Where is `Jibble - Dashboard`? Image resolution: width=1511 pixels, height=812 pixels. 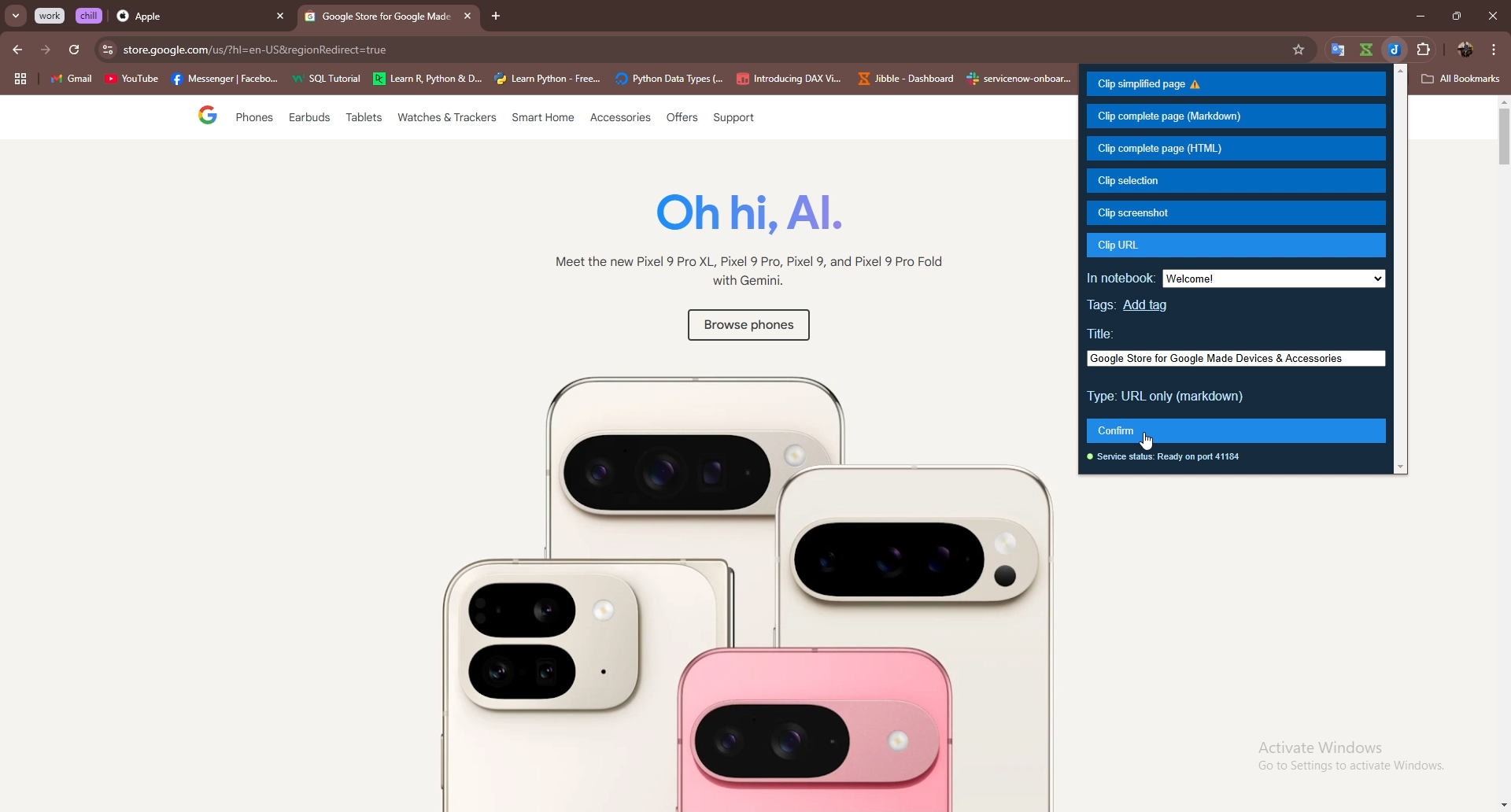
Jibble - Dashboard is located at coordinates (903, 79).